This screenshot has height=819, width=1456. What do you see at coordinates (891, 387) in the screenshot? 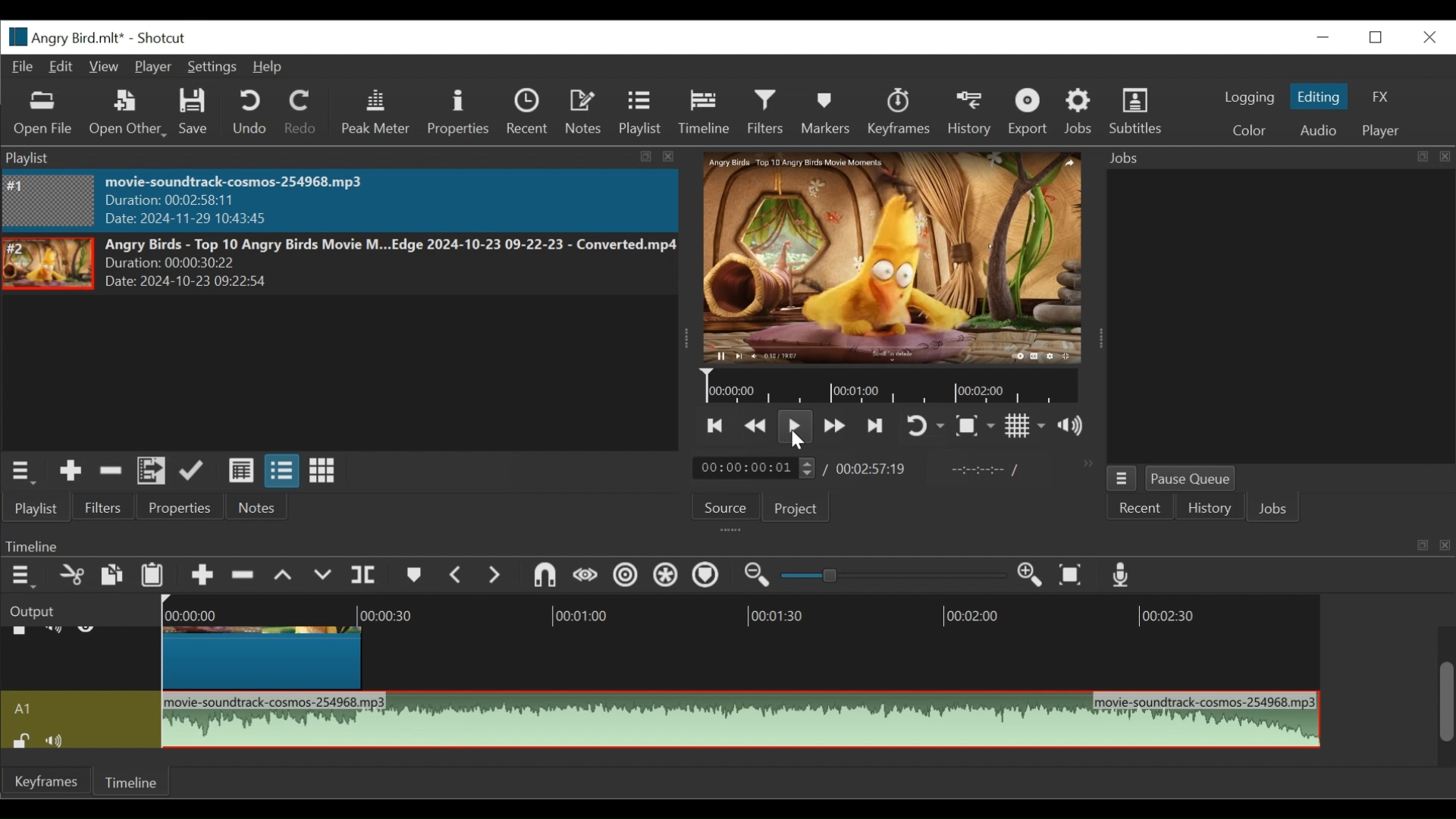
I see `Timeline` at bounding box center [891, 387].